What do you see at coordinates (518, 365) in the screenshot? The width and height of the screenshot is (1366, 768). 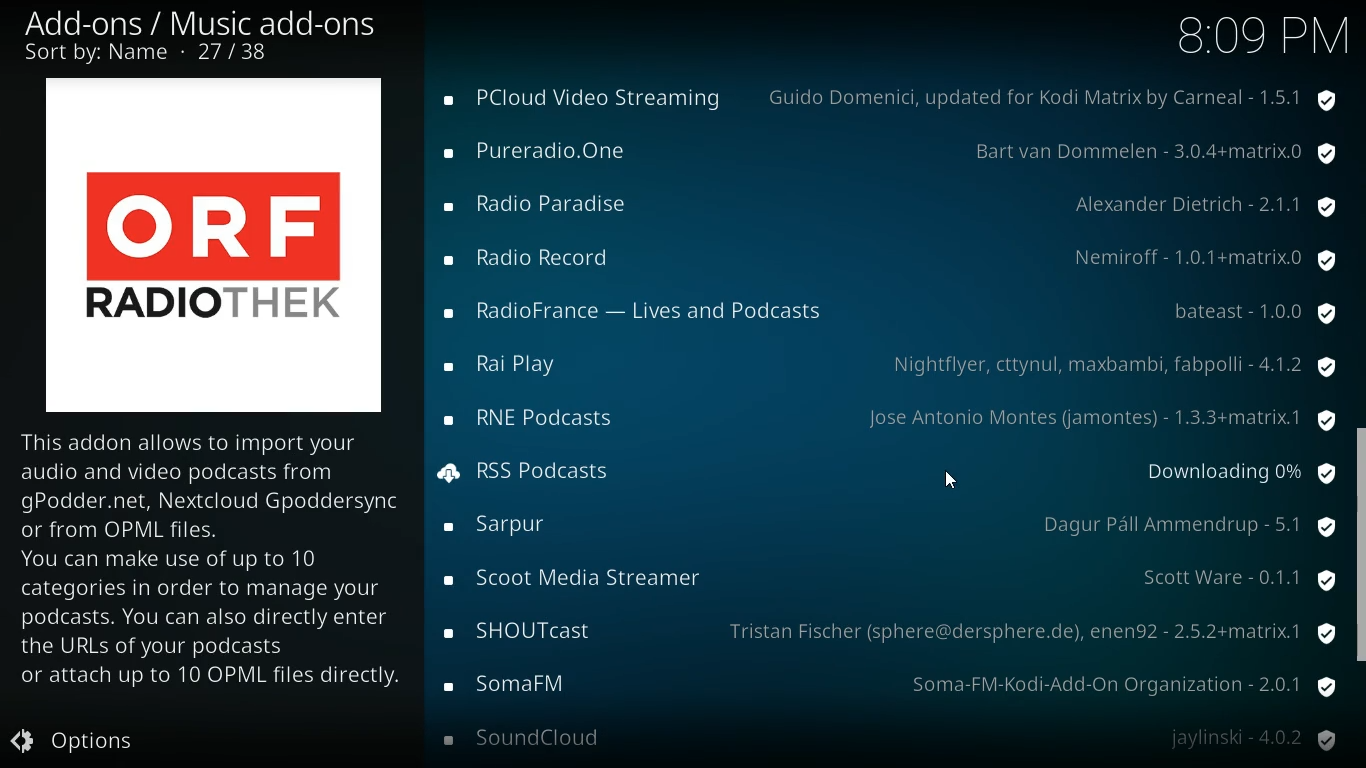 I see `Rai Play` at bounding box center [518, 365].